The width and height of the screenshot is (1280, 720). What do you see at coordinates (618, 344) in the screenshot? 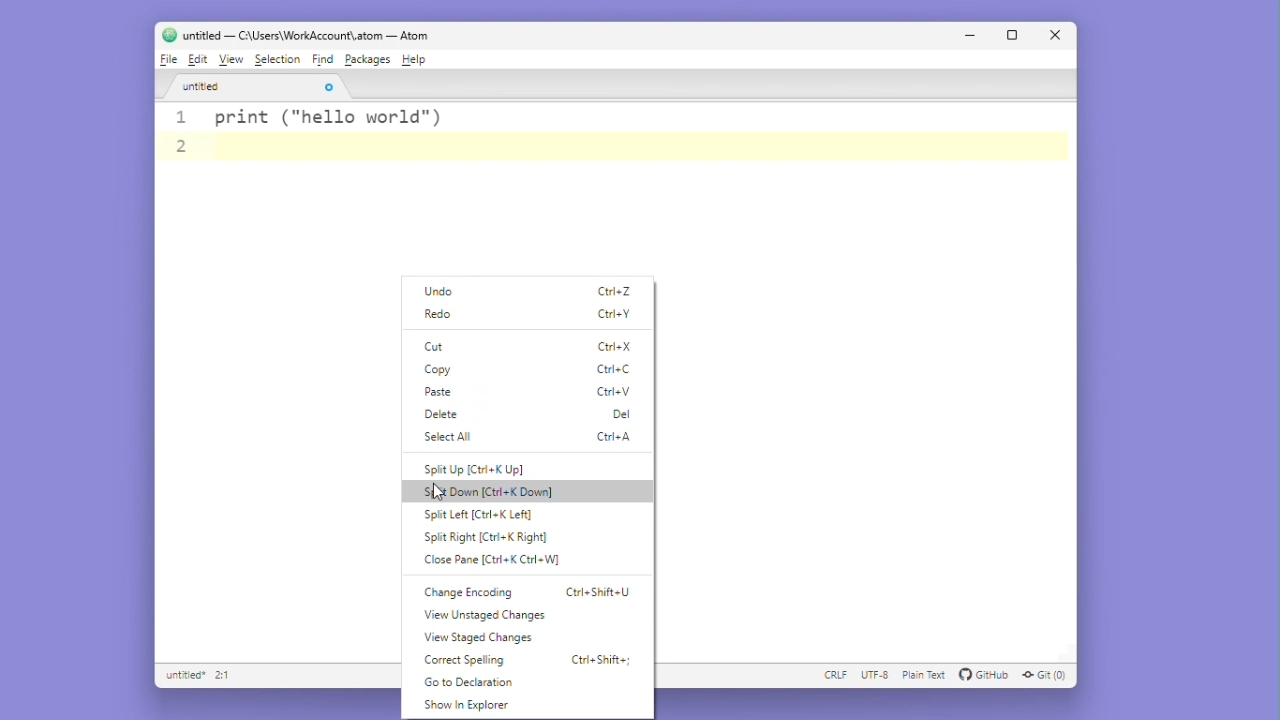
I see `ctrl+x` at bounding box center [618, 344].